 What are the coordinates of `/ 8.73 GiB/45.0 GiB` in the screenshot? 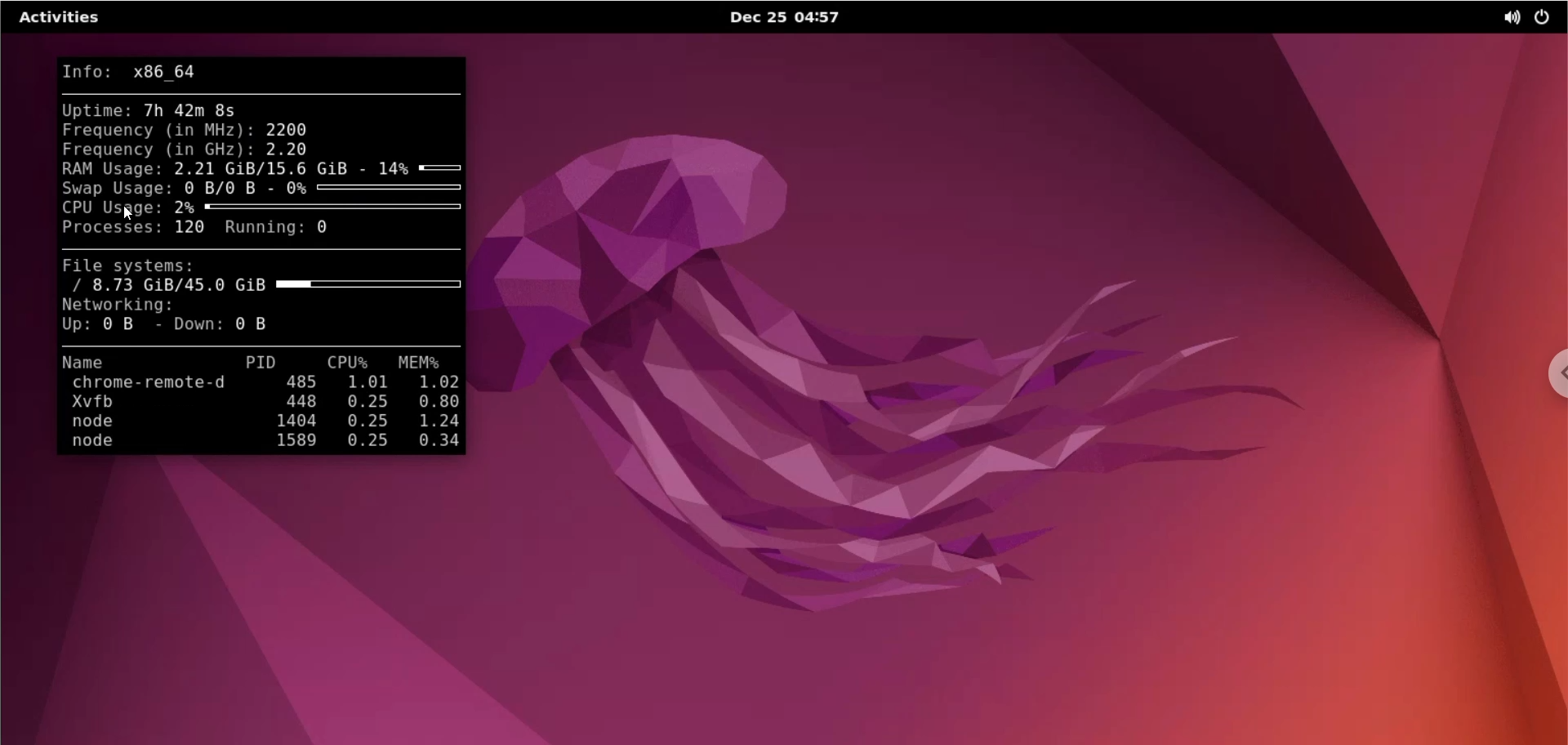 It's located at (261, 286).